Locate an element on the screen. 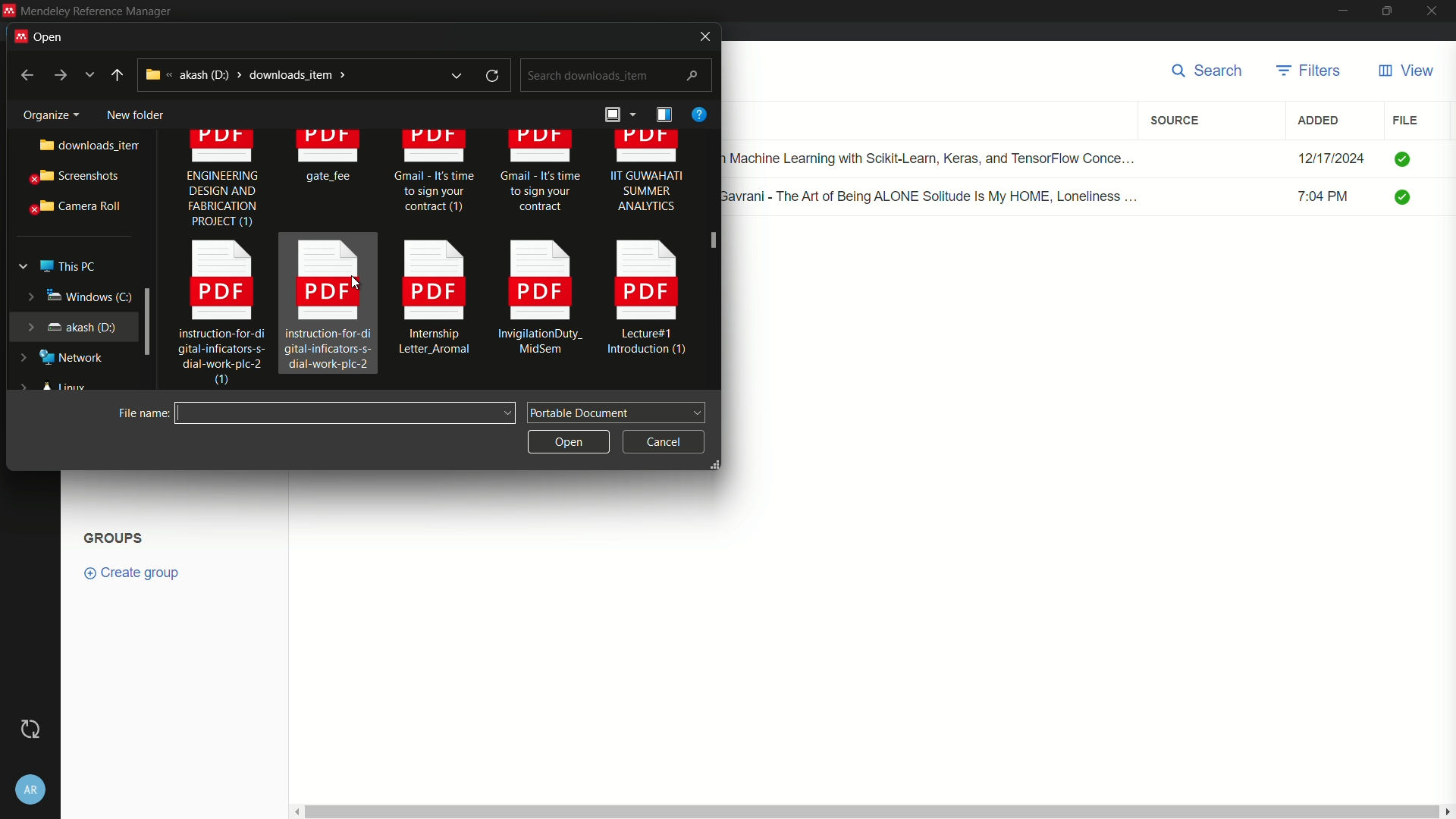 This screenshot has width=1456, height=819. scroll right is located at coordinates (1447, 811).